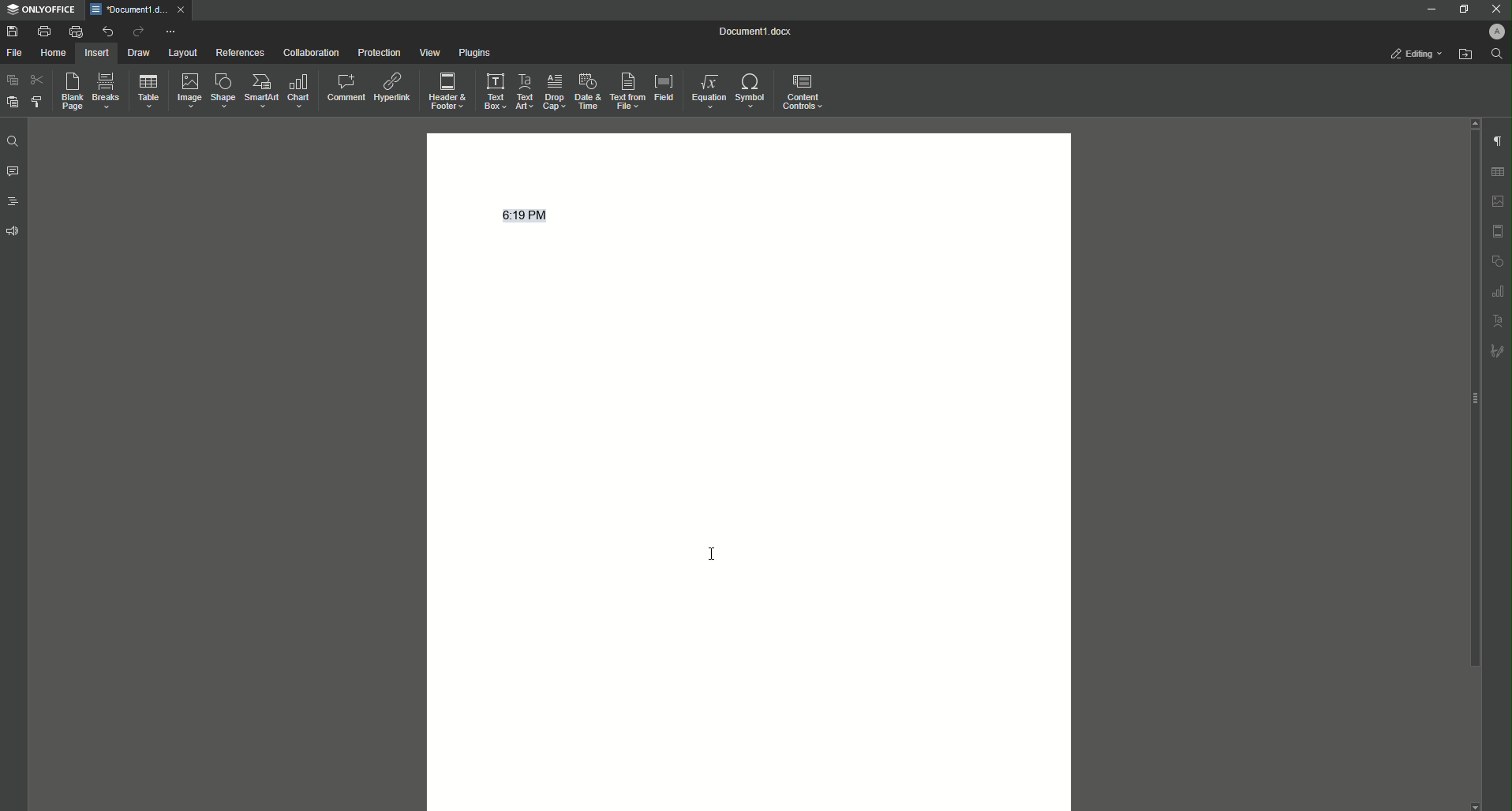  Describe the element at coordinates (106, 92) in the screenshot. I see `Breaks` at that location.